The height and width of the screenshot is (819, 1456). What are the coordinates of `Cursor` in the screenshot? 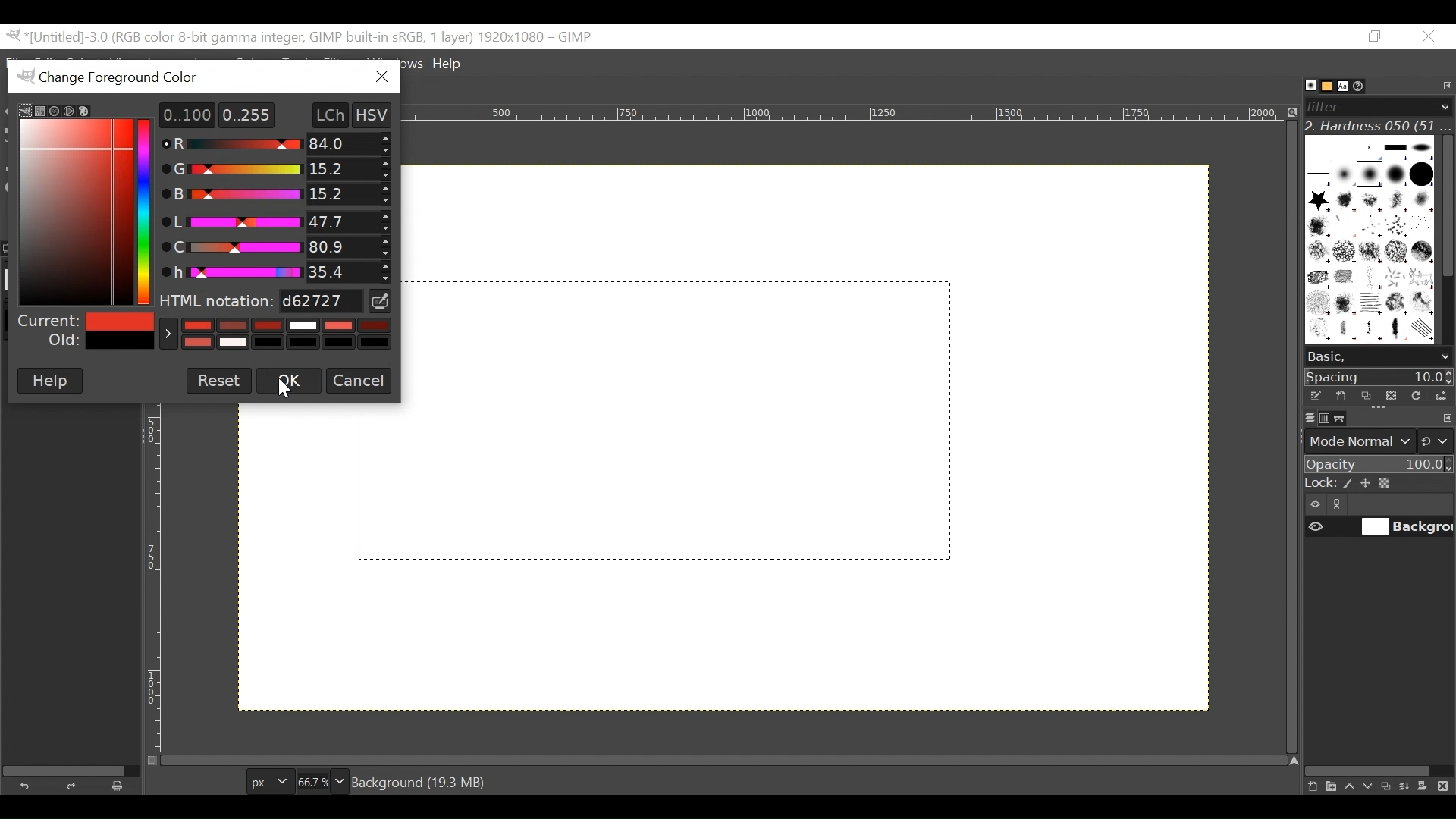 It's located at (286, 385).